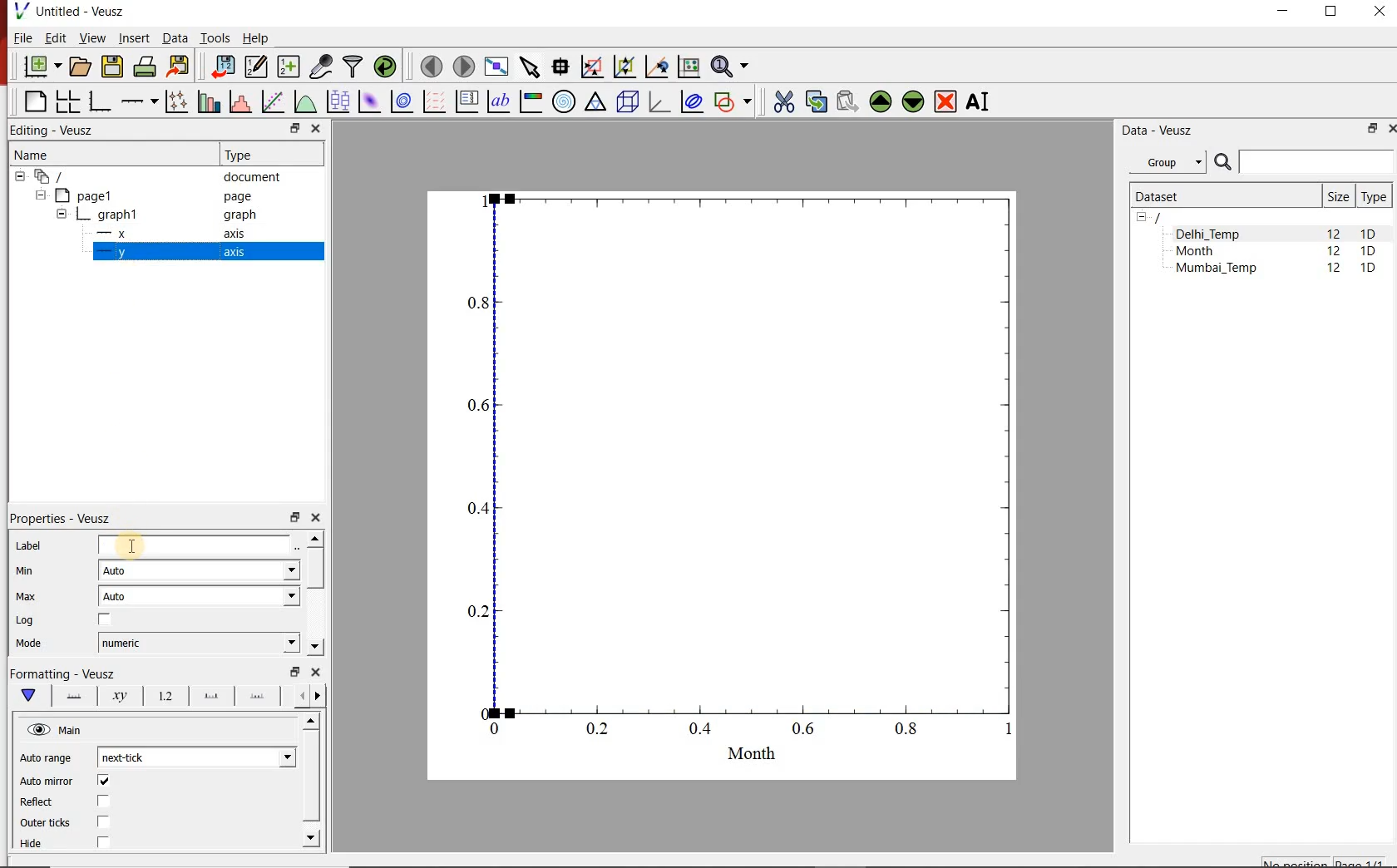  I want to click on Auto, so click(200, 570).